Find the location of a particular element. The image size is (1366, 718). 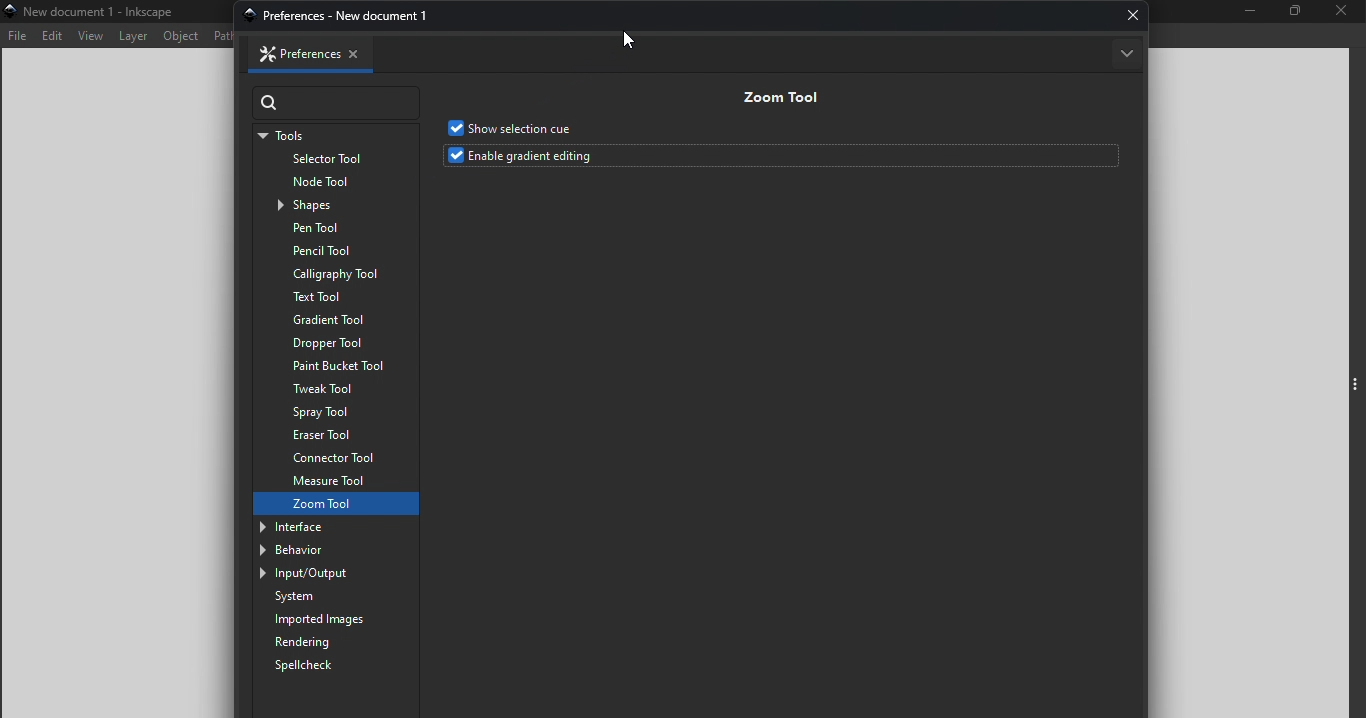

Close is located at coordinates (357, 55).